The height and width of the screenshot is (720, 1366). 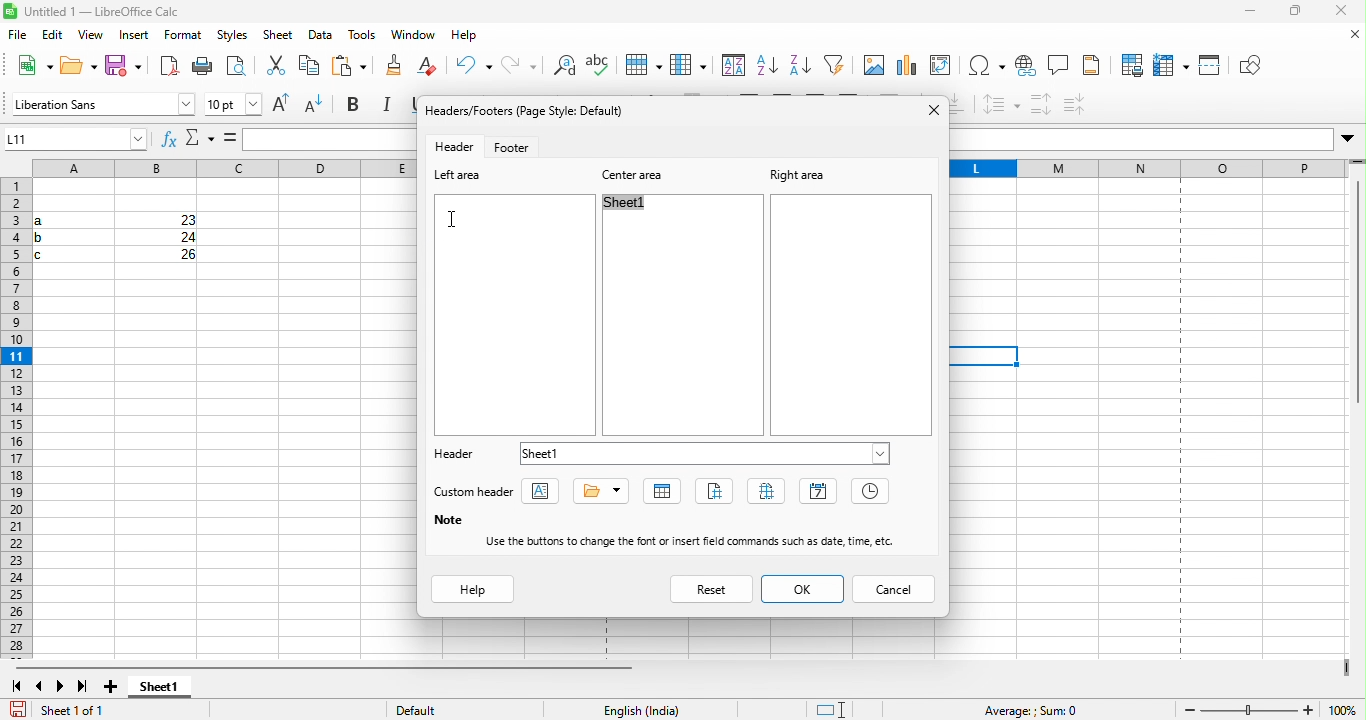 What do you see at coordinates (711, 454) in the screenshot?
I see `sheet 1` at bounding box center [711, 454].